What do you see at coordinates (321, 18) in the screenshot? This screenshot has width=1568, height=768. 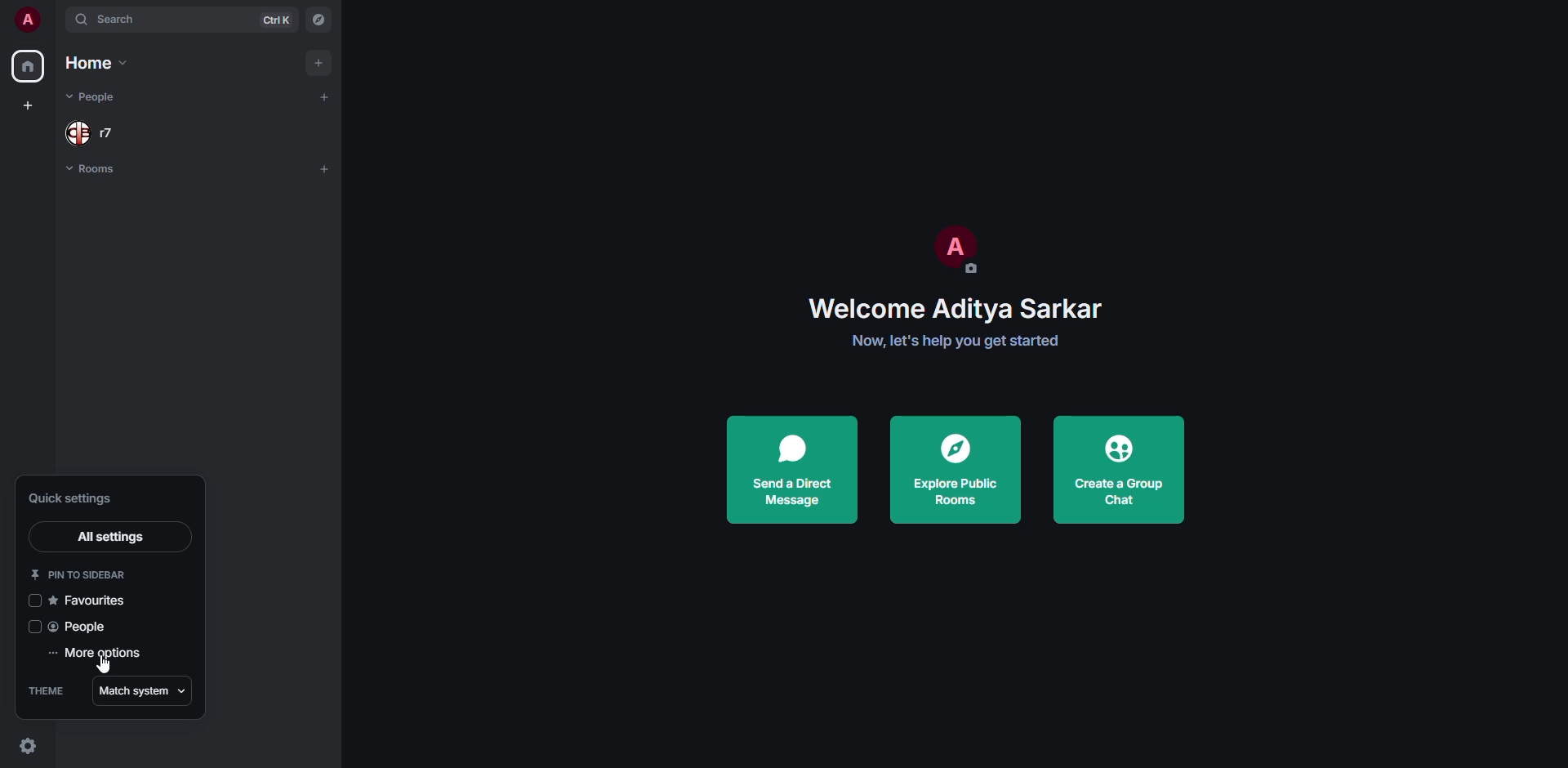 I see `navigator` at bounding box center [321, 18].